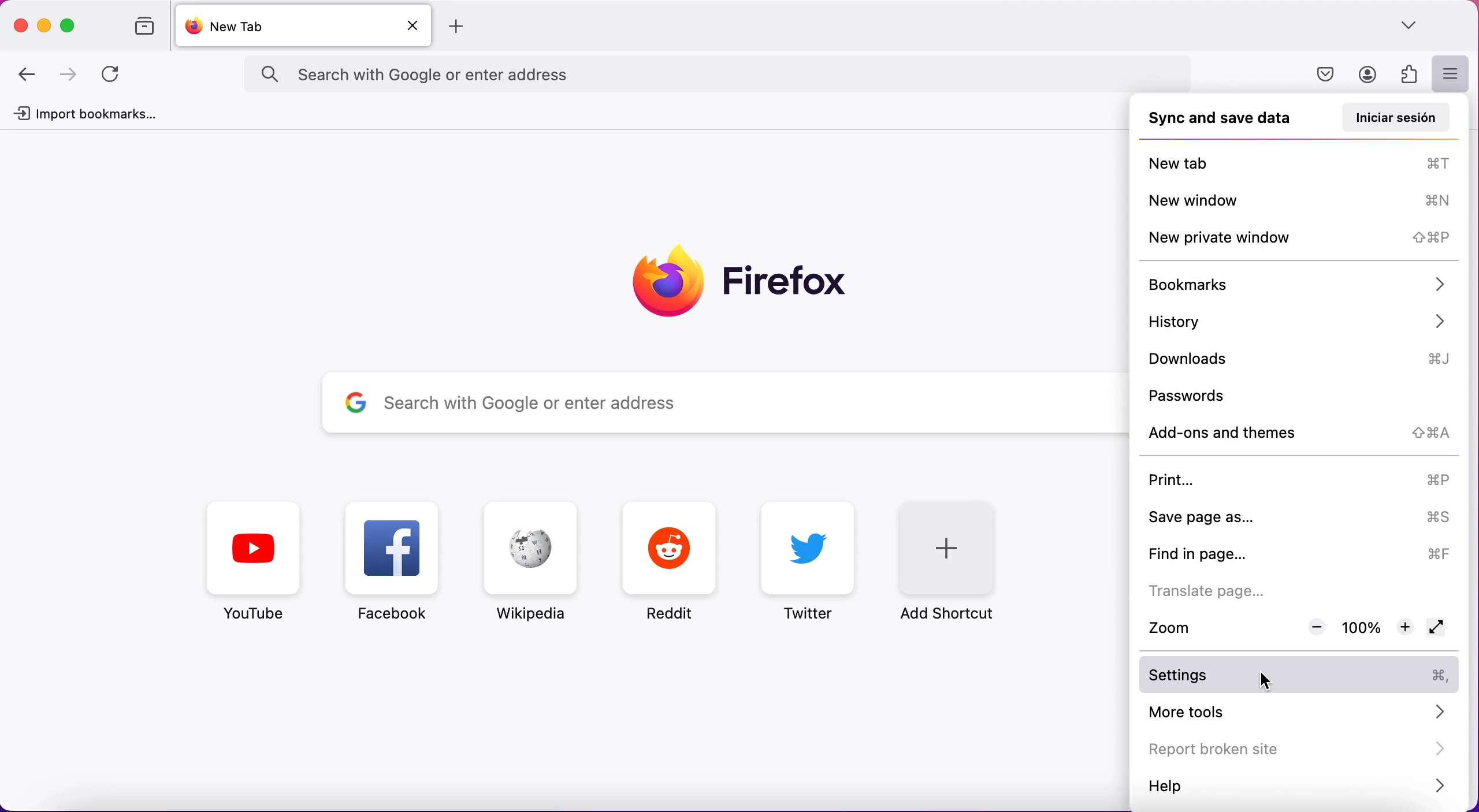 This screenshot has width=1479, height=812. Describe the element at coordinates (1295, 749) in the screenshot. I see `report broken site` at that location.